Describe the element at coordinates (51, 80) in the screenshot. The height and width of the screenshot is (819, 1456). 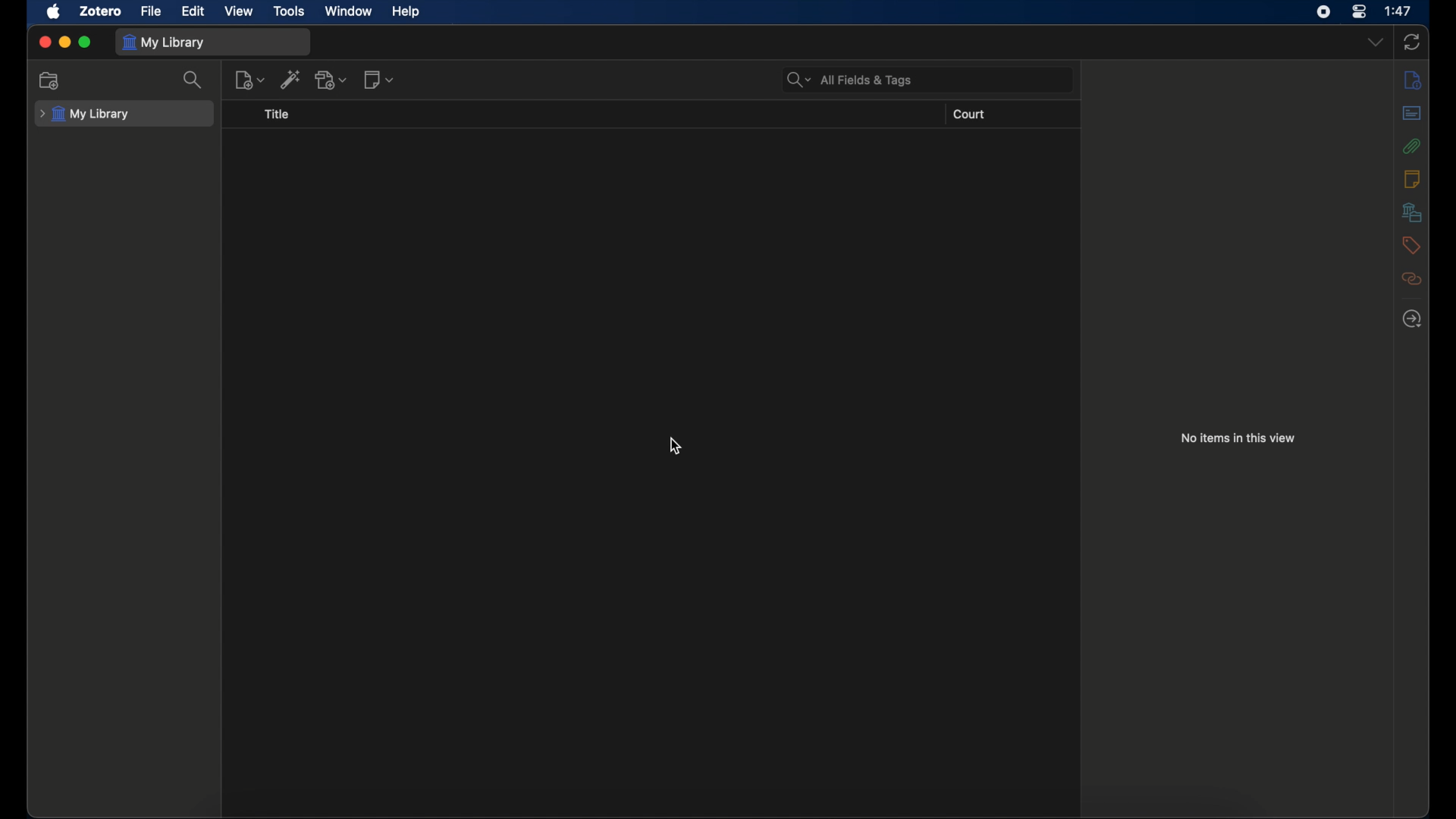
I see `new collection` at that location.